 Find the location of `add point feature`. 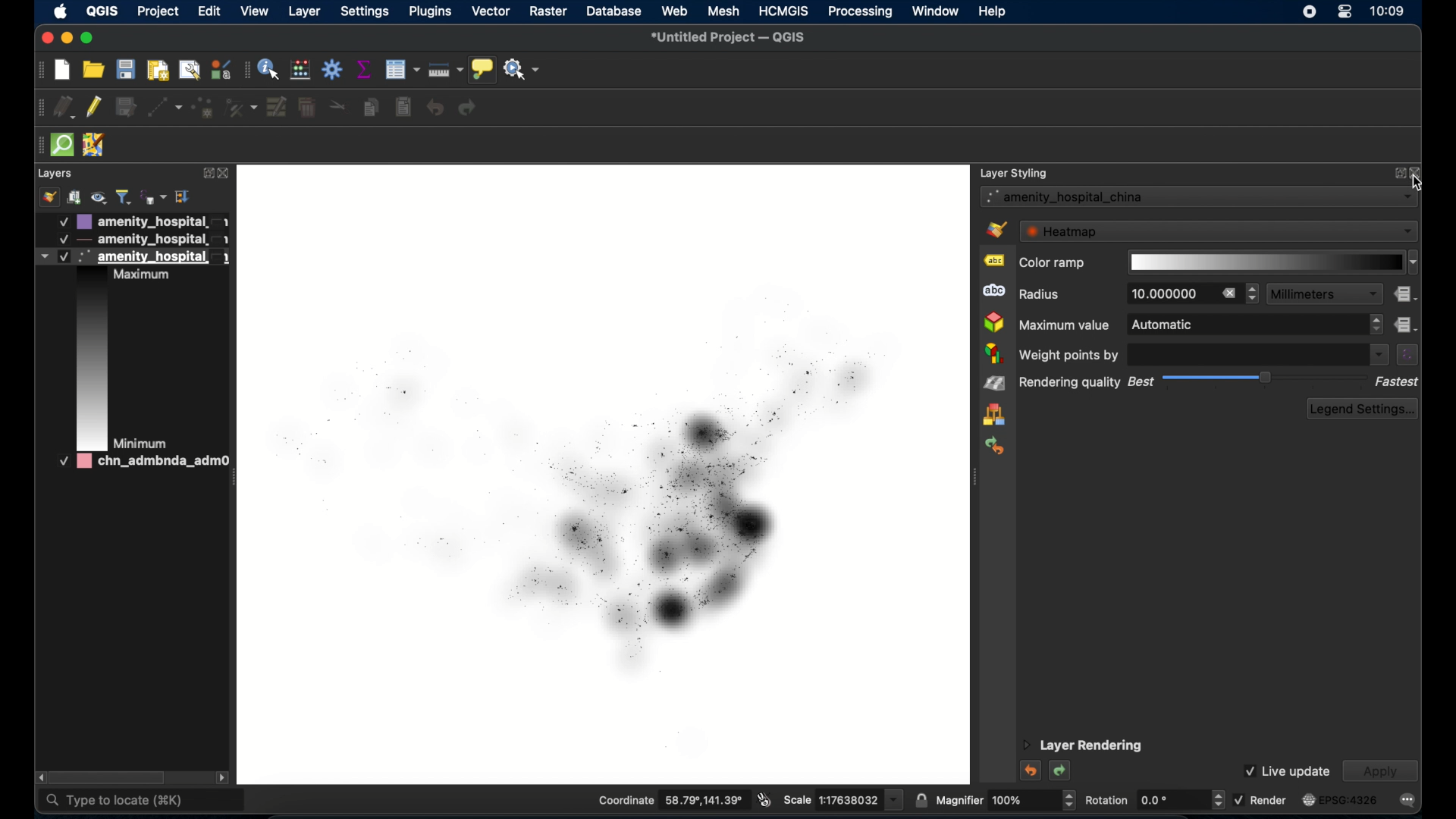

add point feature is located at coordinates (205, 108).